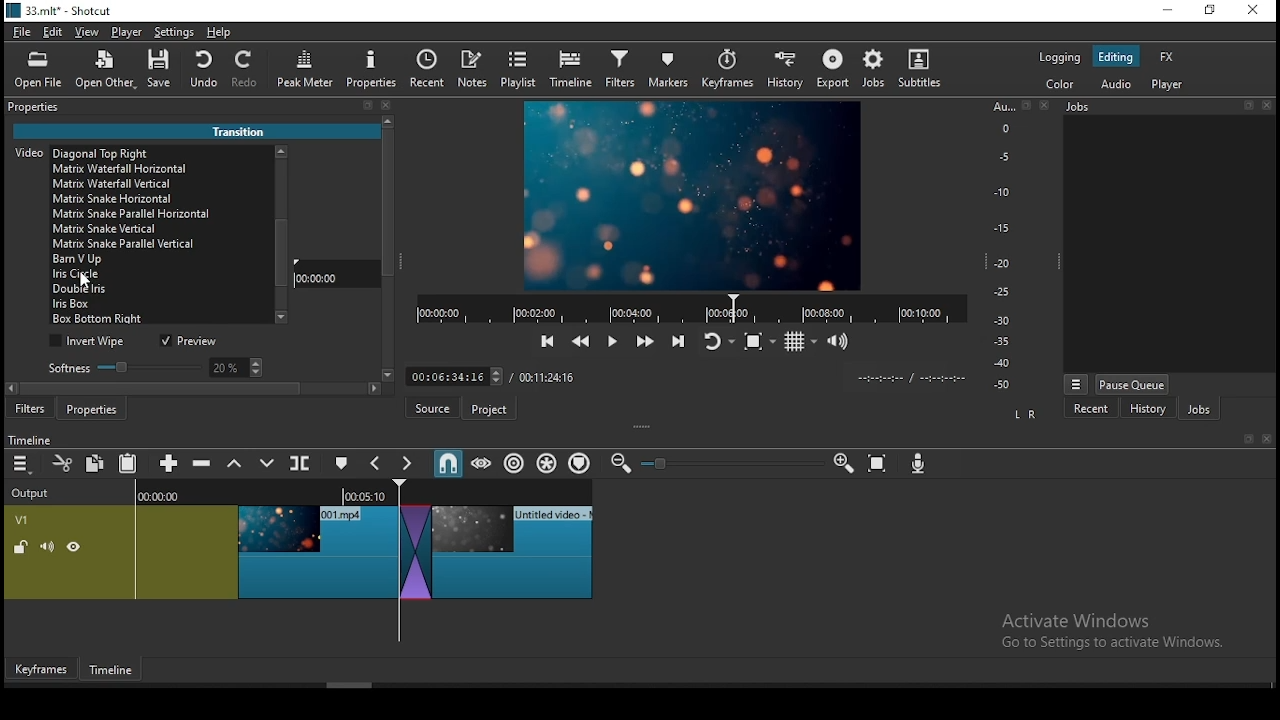  Describe the element at coordinates (201, 391) in the screenshot. I see `scroll bar` at that location.